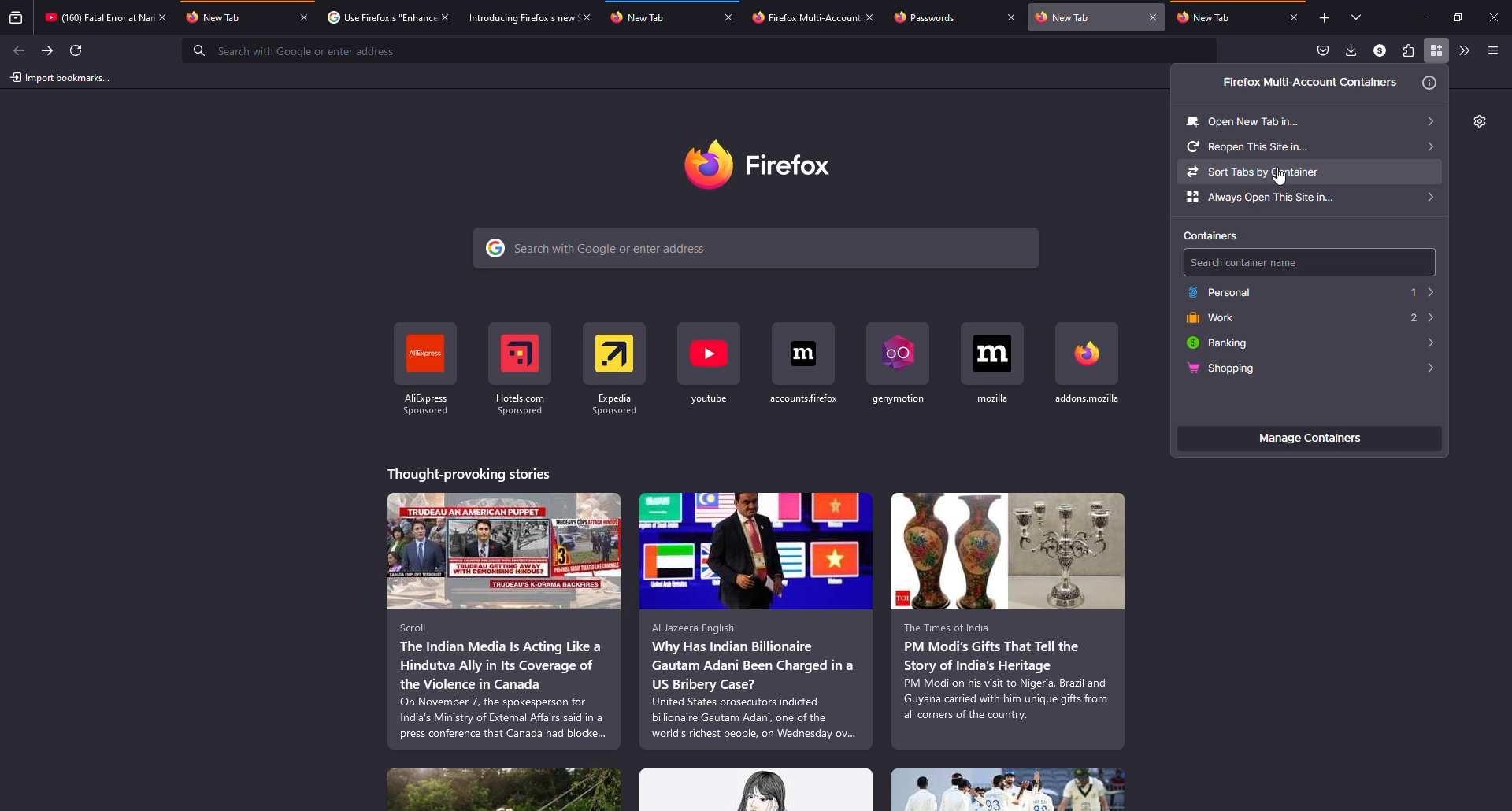  I want to click on close, so click(1154, 17).